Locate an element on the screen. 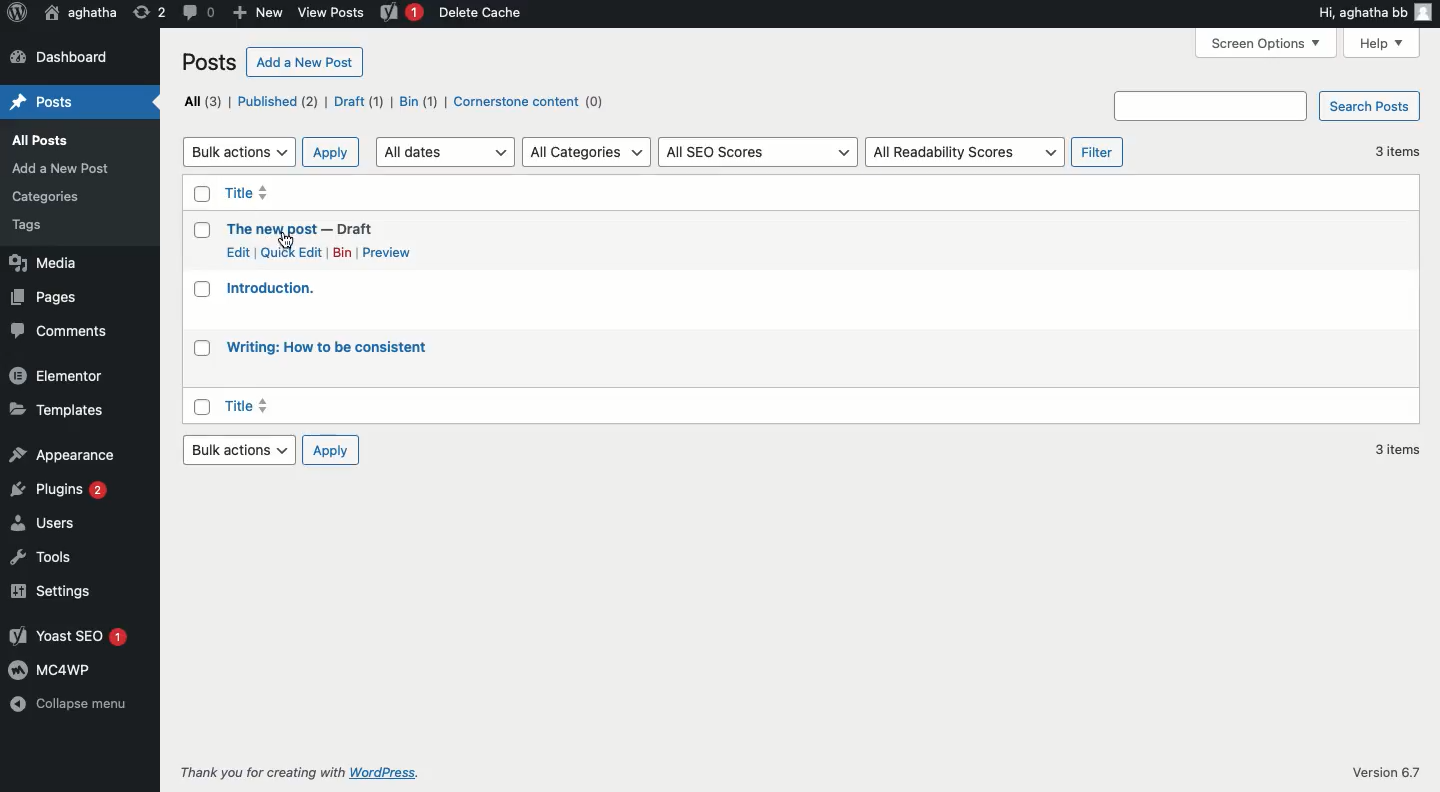 This screenshot has height=792, width=1440. Thank you for creating with is located at coordinates (259, 769).